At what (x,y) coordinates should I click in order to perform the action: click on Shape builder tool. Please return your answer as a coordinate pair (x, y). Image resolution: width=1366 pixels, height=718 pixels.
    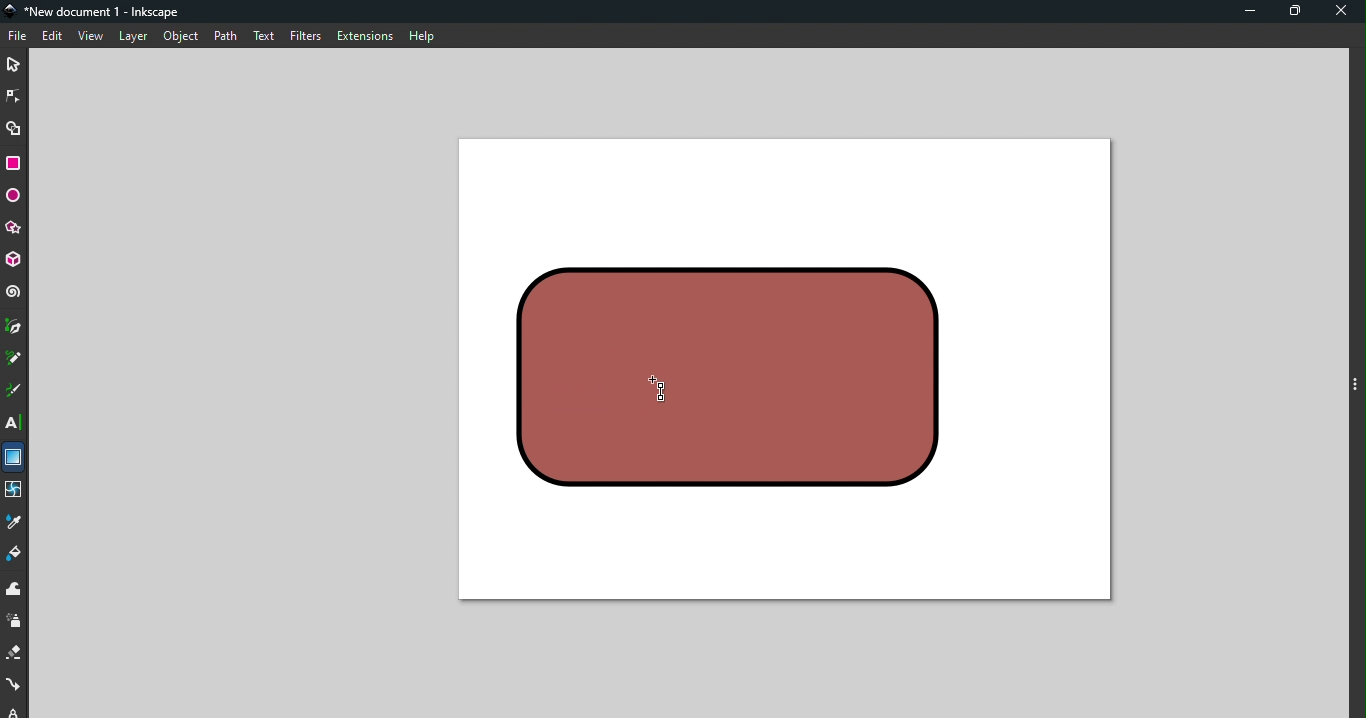
    Looking at the image, I should click on (14, 127).